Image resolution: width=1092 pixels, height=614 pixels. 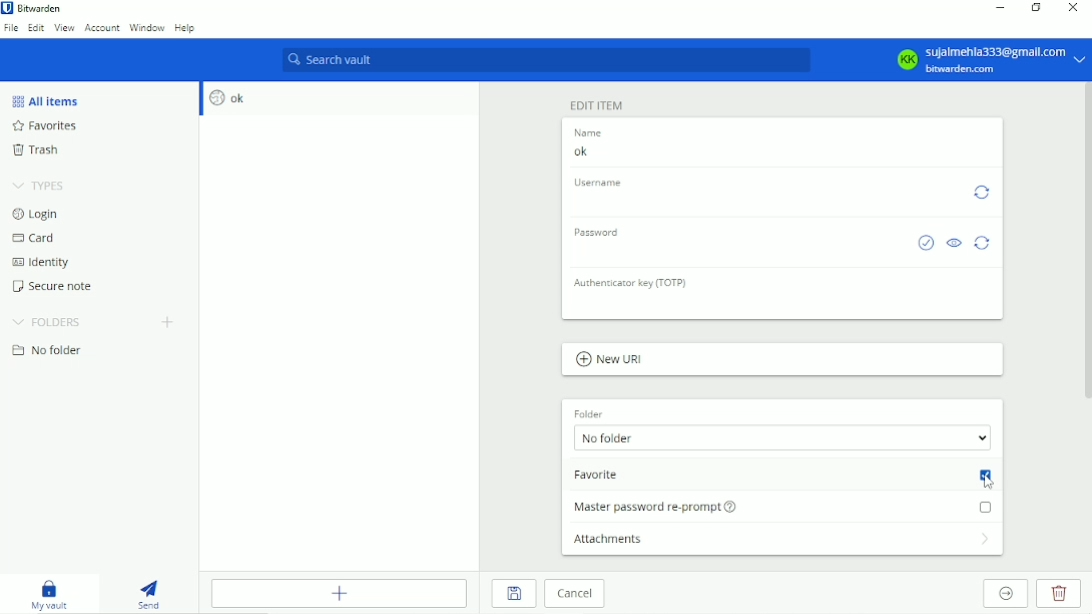 I want to click on add New URL, so click(x=611, y=360).